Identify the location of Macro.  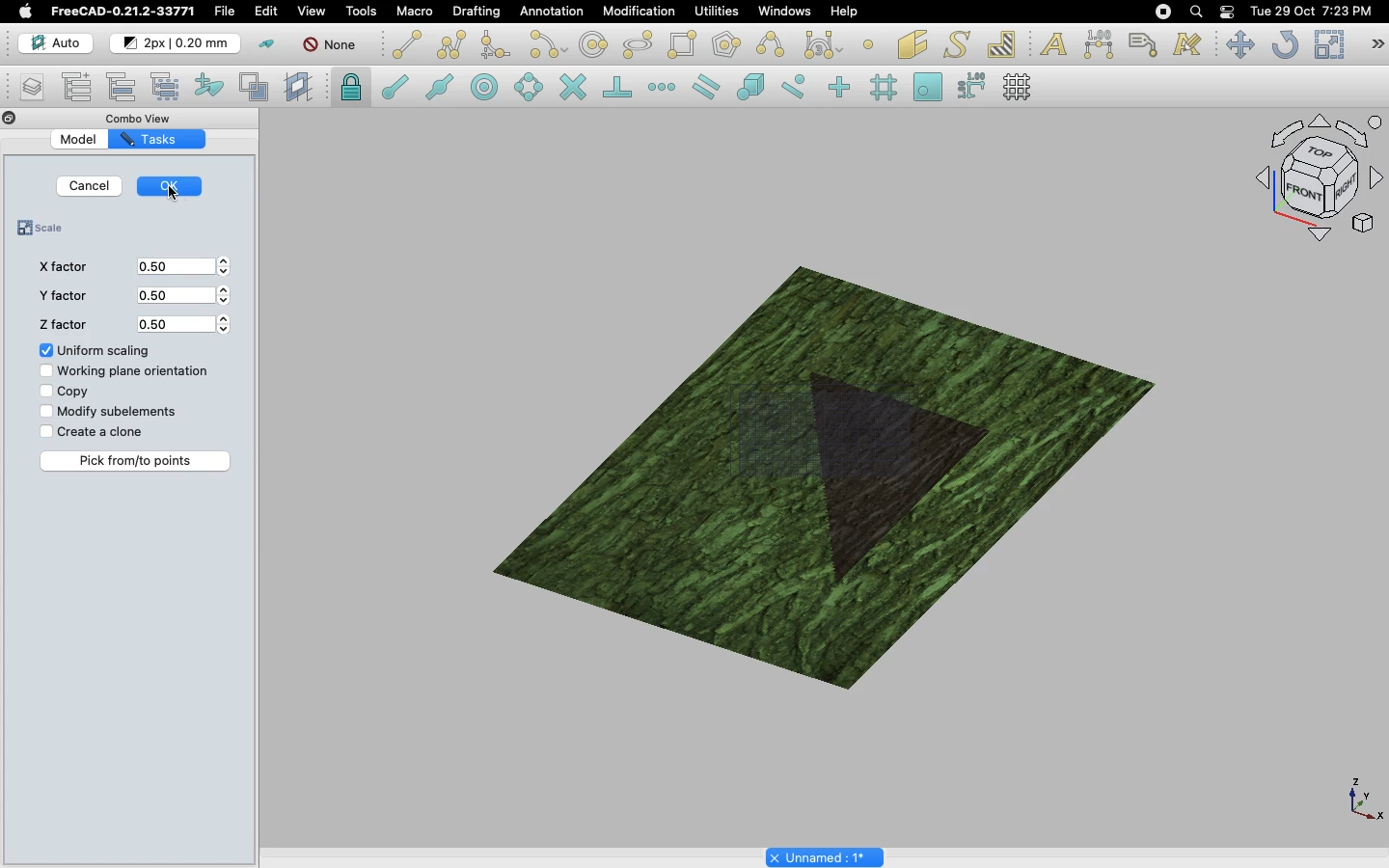
(416, 12).